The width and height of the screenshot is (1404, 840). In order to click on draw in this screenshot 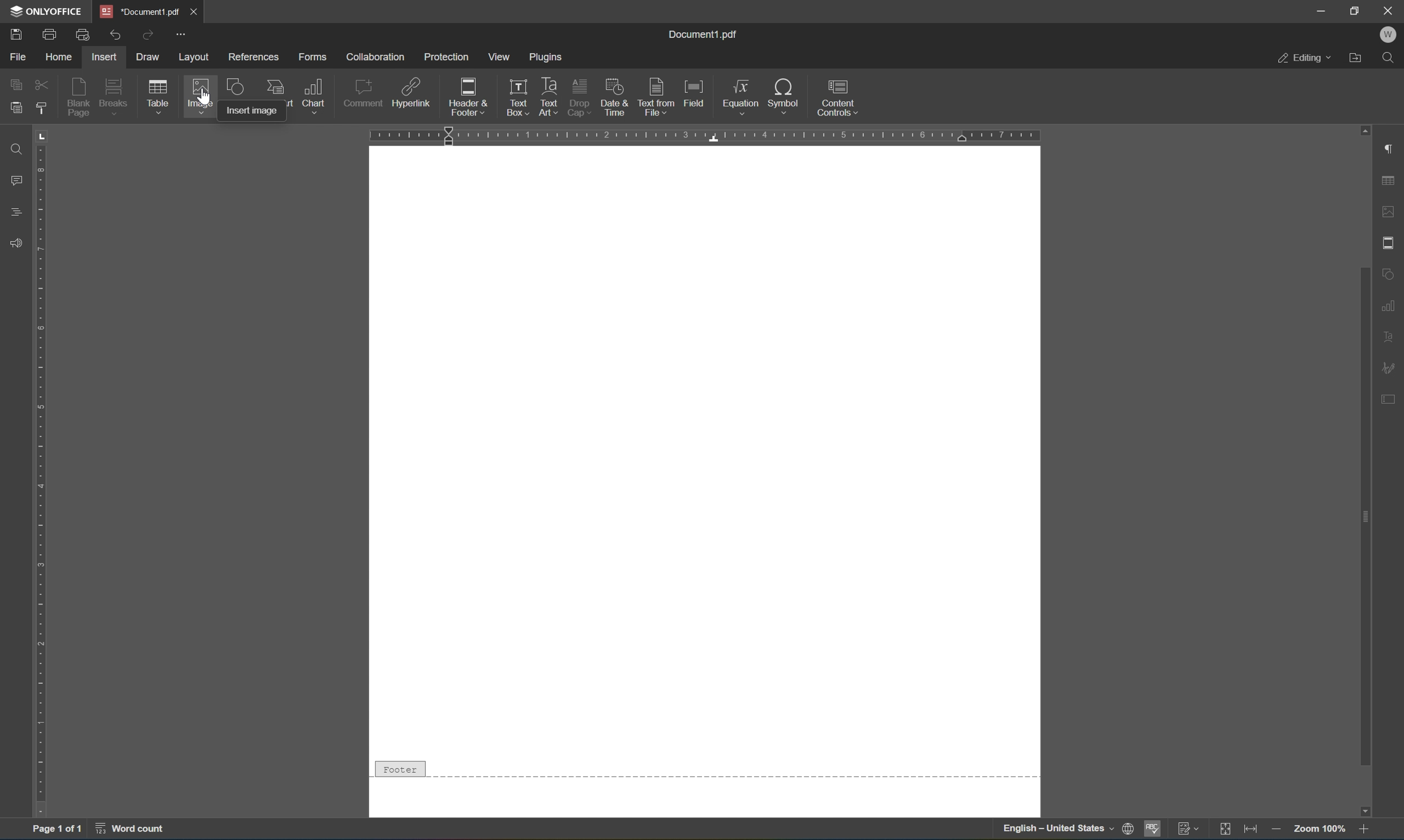, I will do `click(153, 57)`.